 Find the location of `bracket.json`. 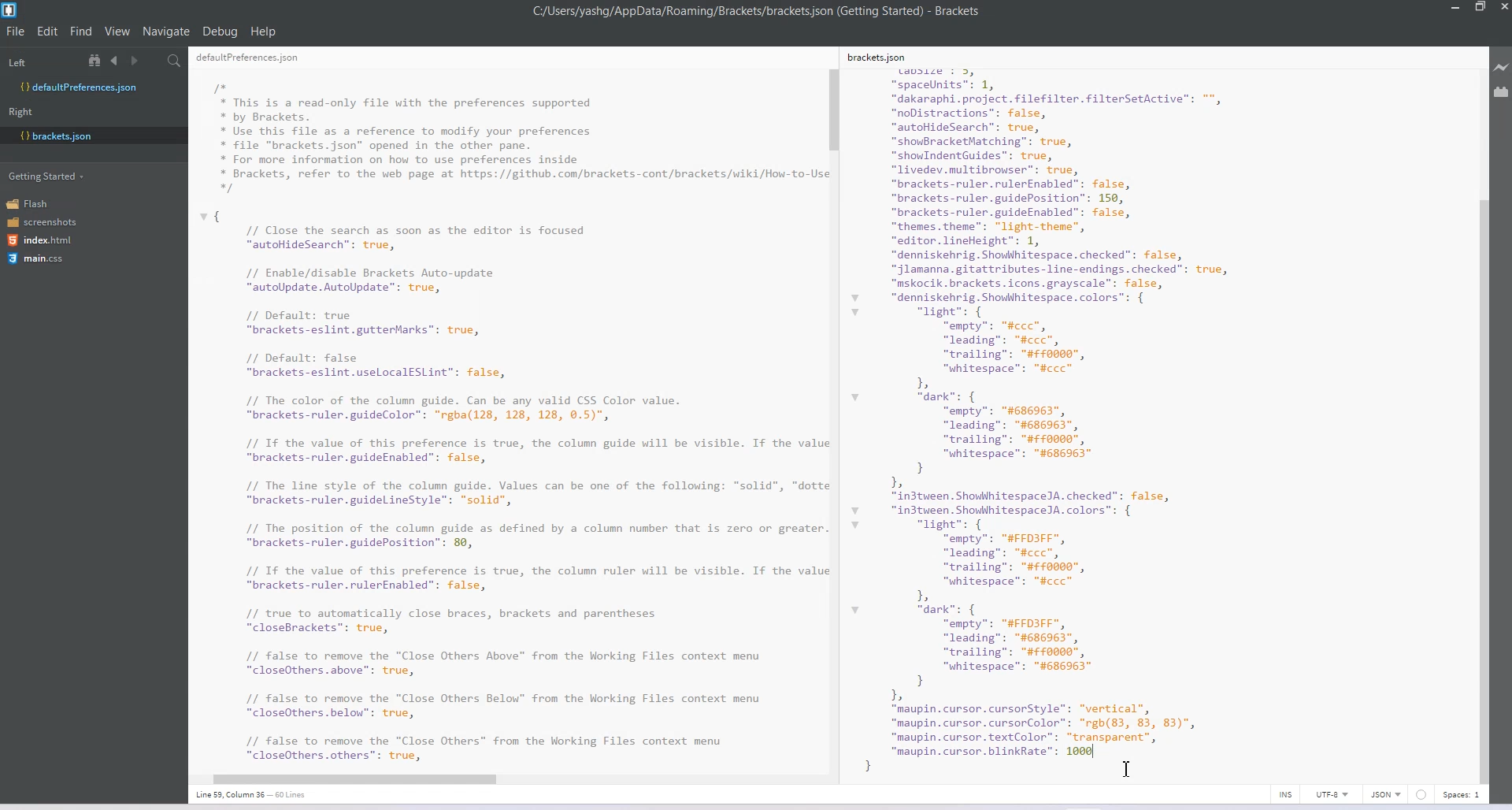

bracket.json is located at coordinates (90, 135).